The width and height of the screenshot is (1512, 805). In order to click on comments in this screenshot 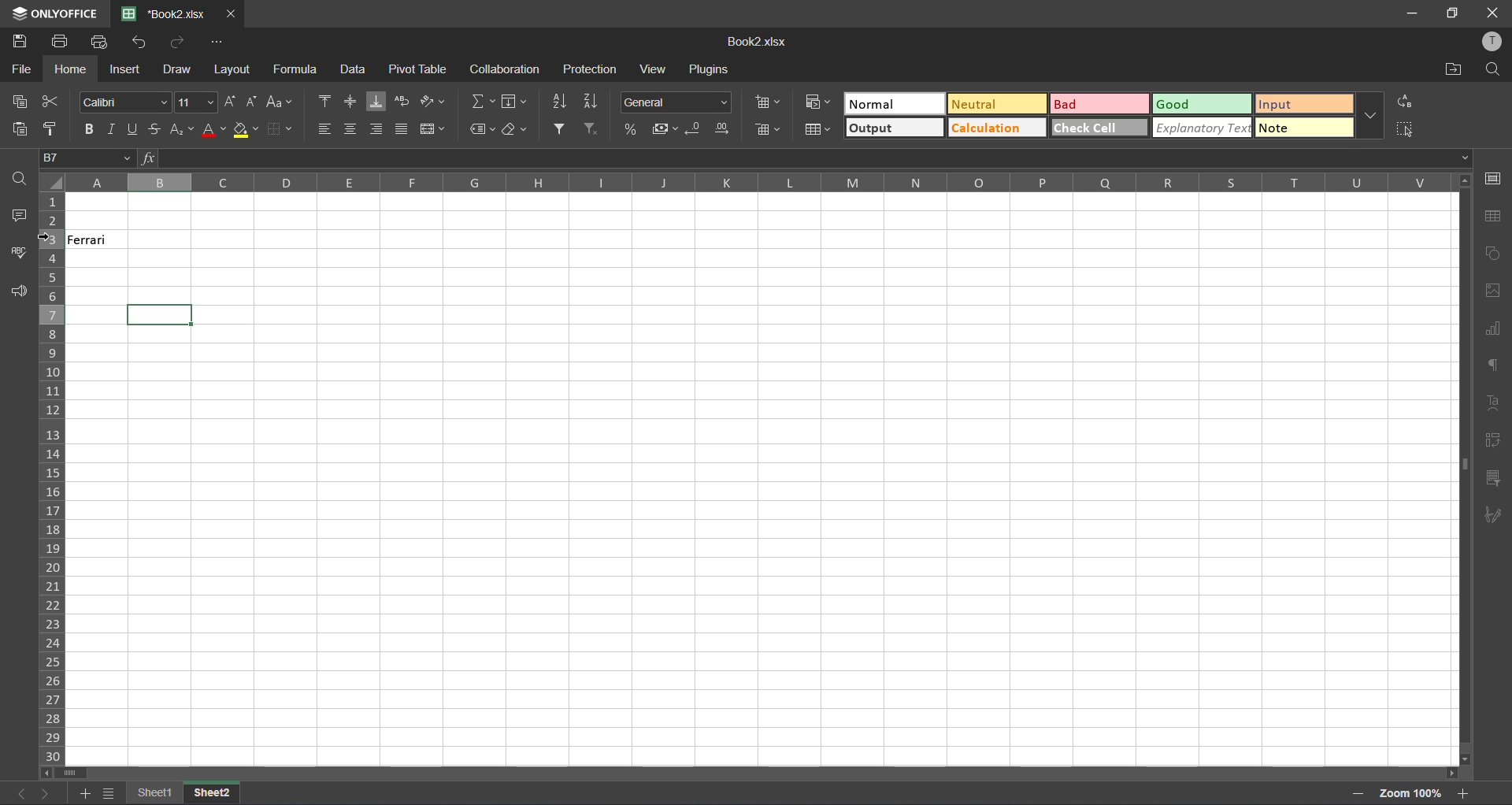, I will do `click(18, 216)`.